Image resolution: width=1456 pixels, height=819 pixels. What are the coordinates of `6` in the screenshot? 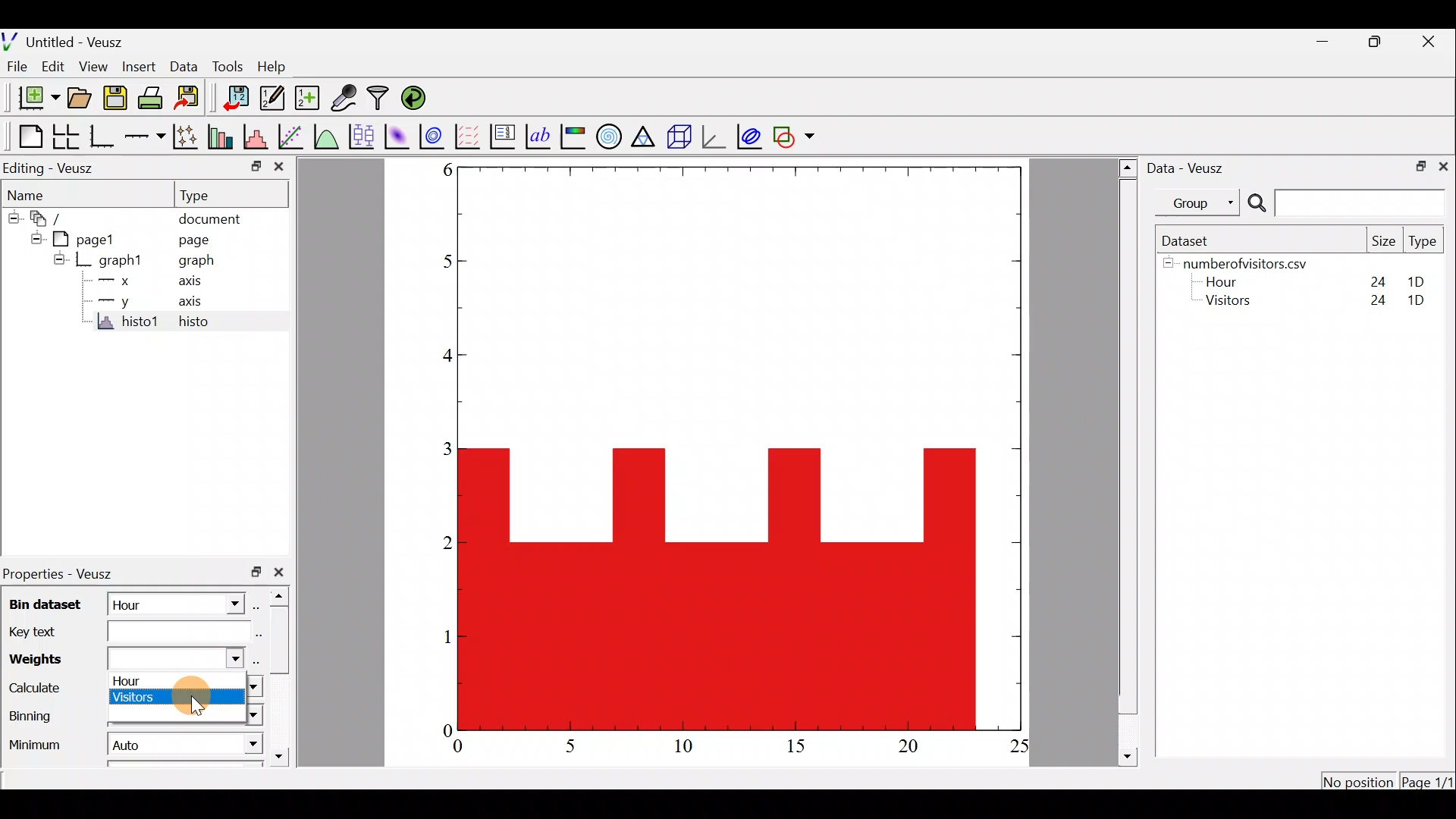 It's located at (442, 173).